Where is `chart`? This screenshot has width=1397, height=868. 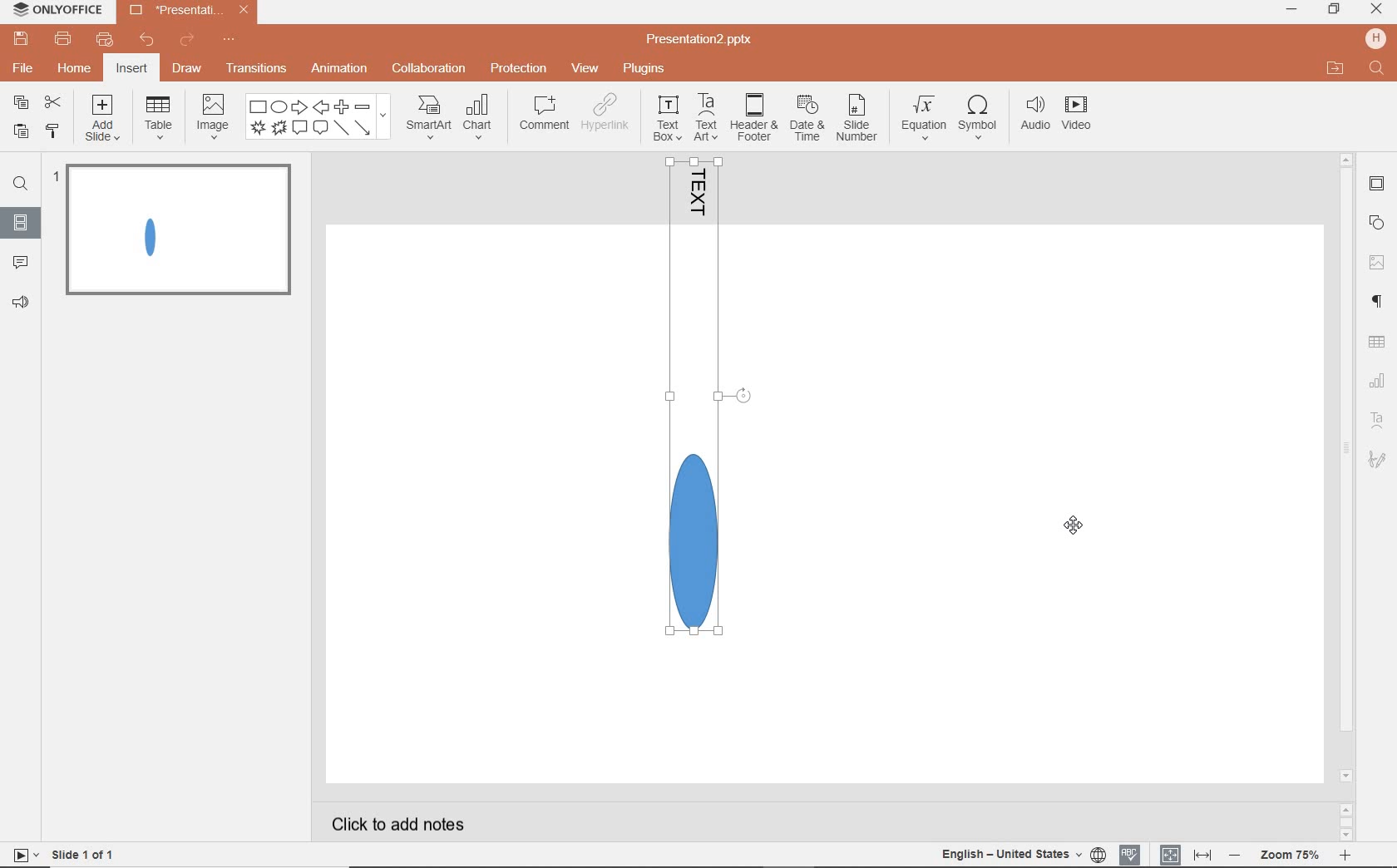 chart is located at coordinates (481, 116).